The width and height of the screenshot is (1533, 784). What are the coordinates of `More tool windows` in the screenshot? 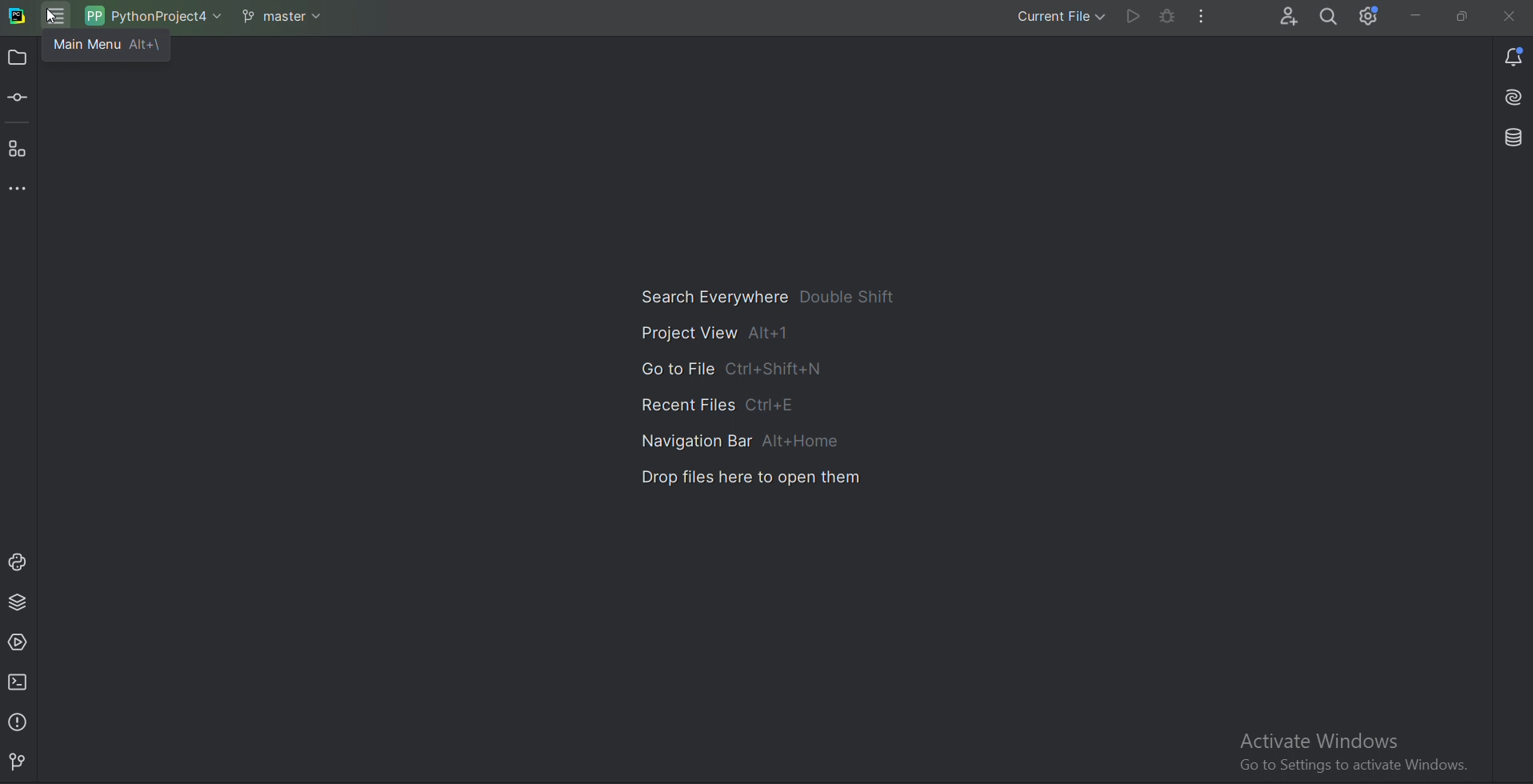 It's located at (22, 190).